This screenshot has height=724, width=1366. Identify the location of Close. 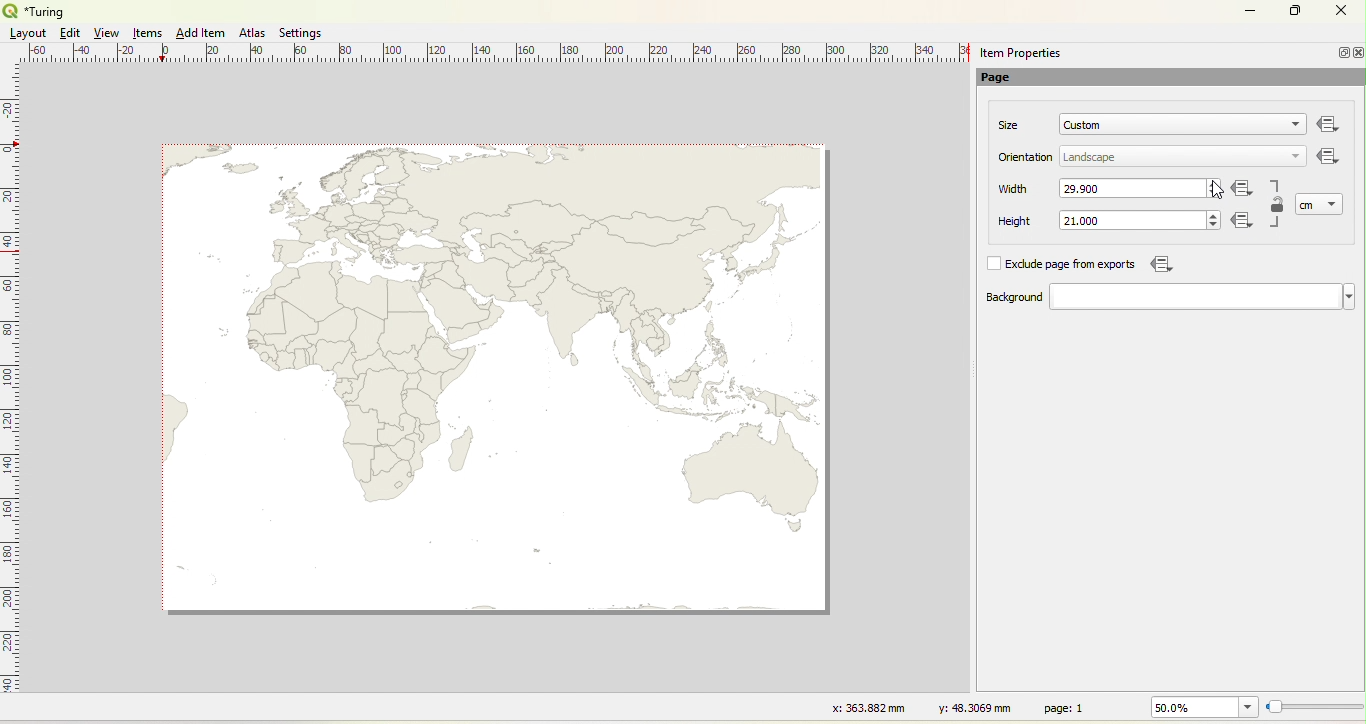
(1340, 13).